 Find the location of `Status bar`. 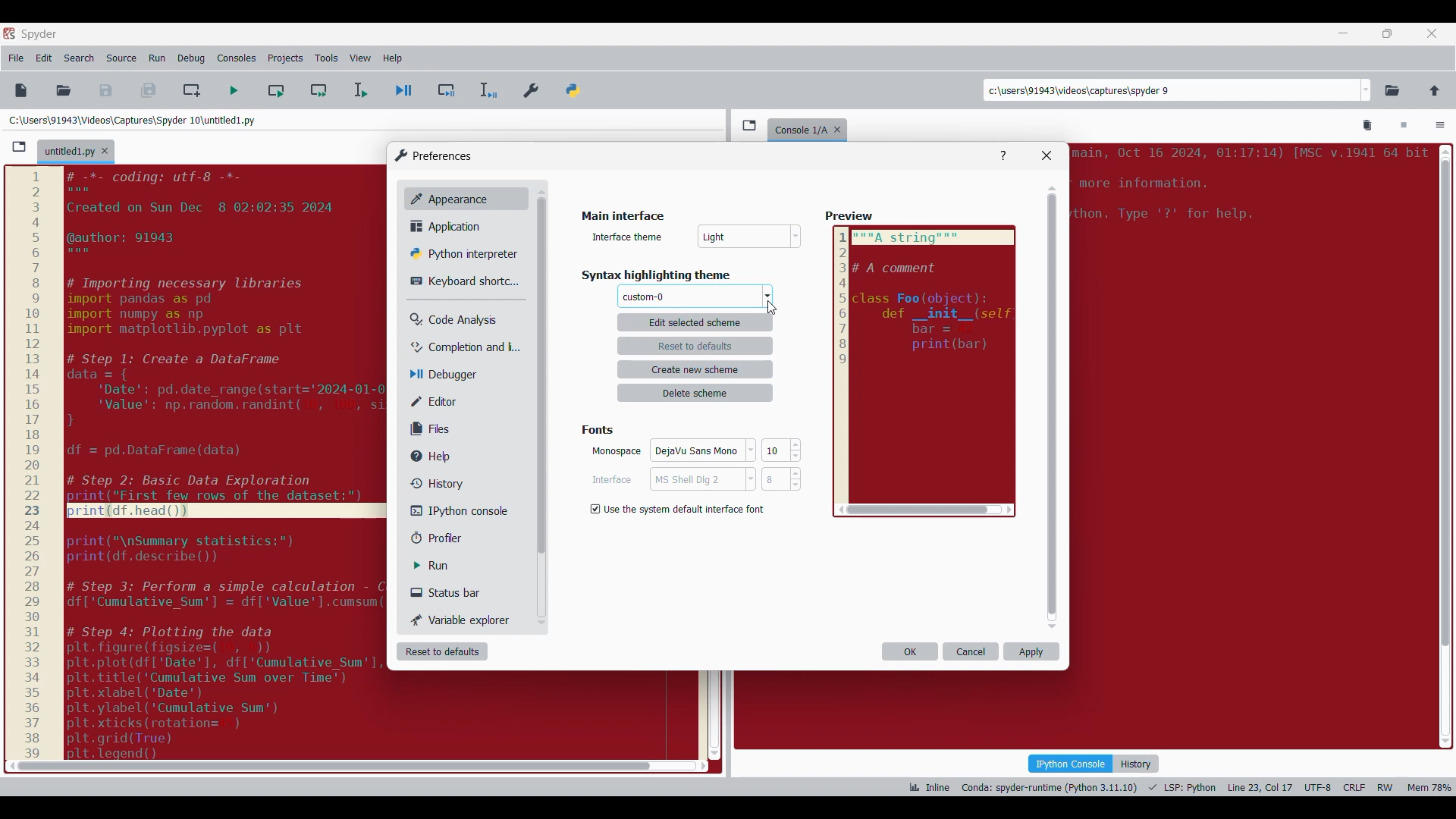

Status bar is located at coordinates (451, 592).